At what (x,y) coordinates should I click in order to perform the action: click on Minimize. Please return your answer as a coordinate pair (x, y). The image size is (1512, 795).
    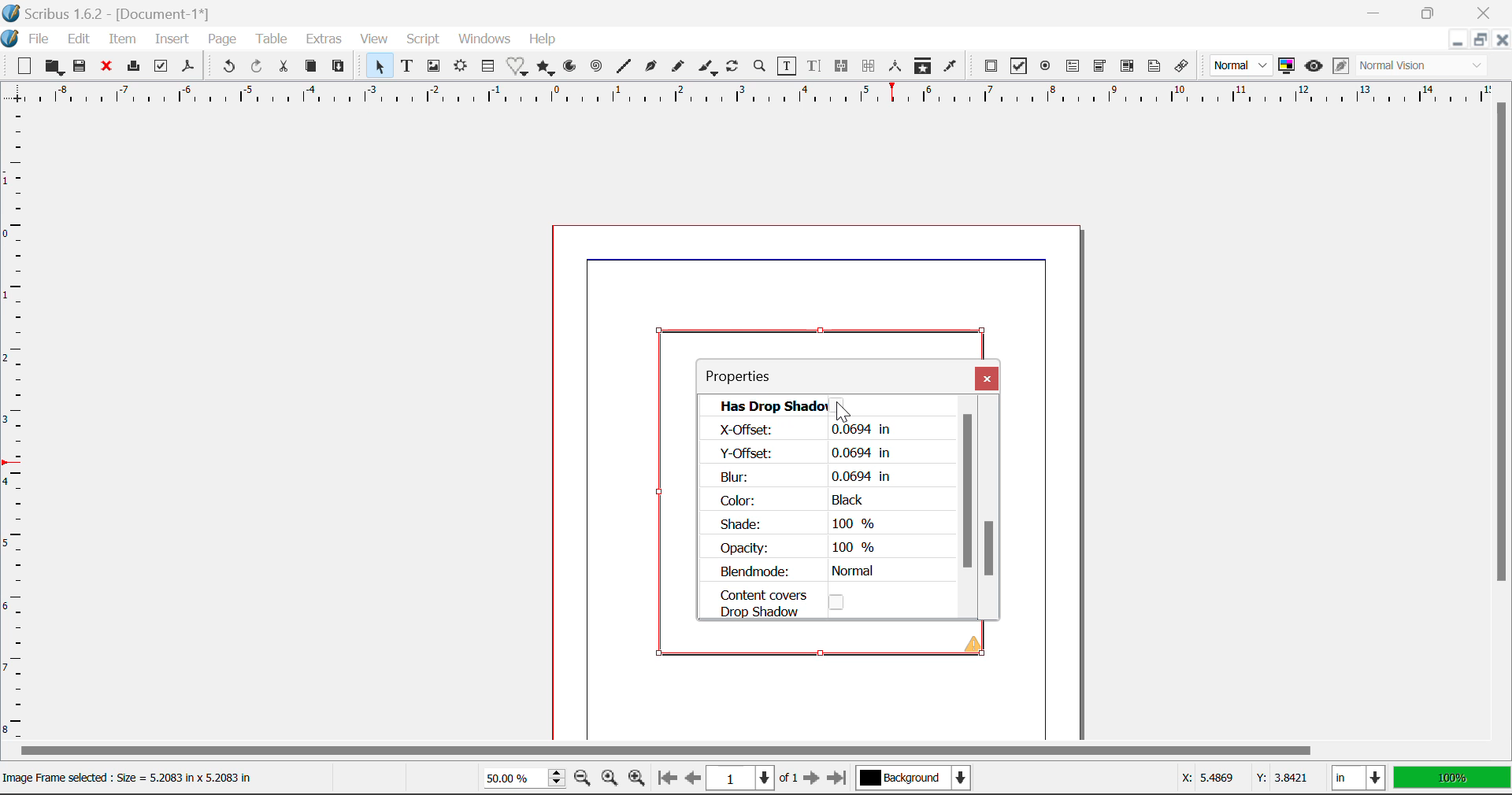
    Looking at the image, I should click on (1430, 11).